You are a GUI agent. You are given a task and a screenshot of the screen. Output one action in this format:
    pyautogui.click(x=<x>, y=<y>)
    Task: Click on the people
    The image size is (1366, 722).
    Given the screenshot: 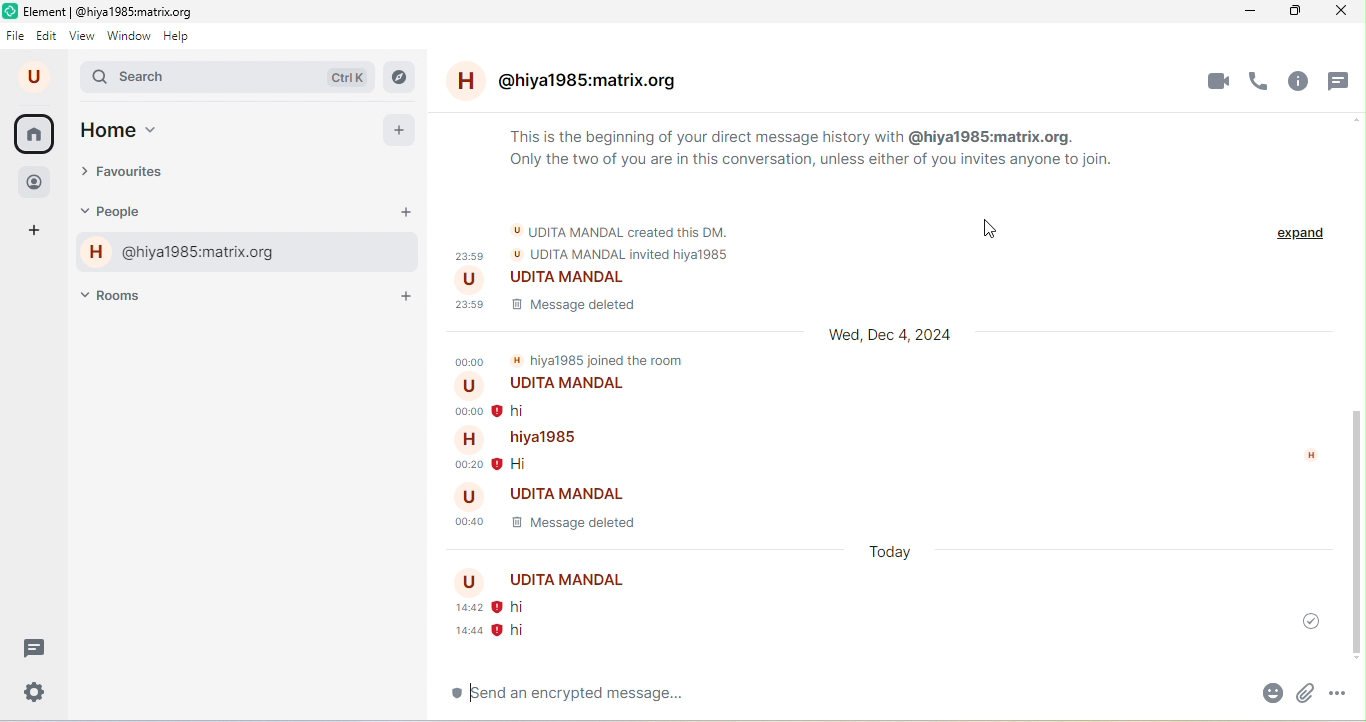 What is the action you would take?
    pyautogui.click(x=38, y=180)
    